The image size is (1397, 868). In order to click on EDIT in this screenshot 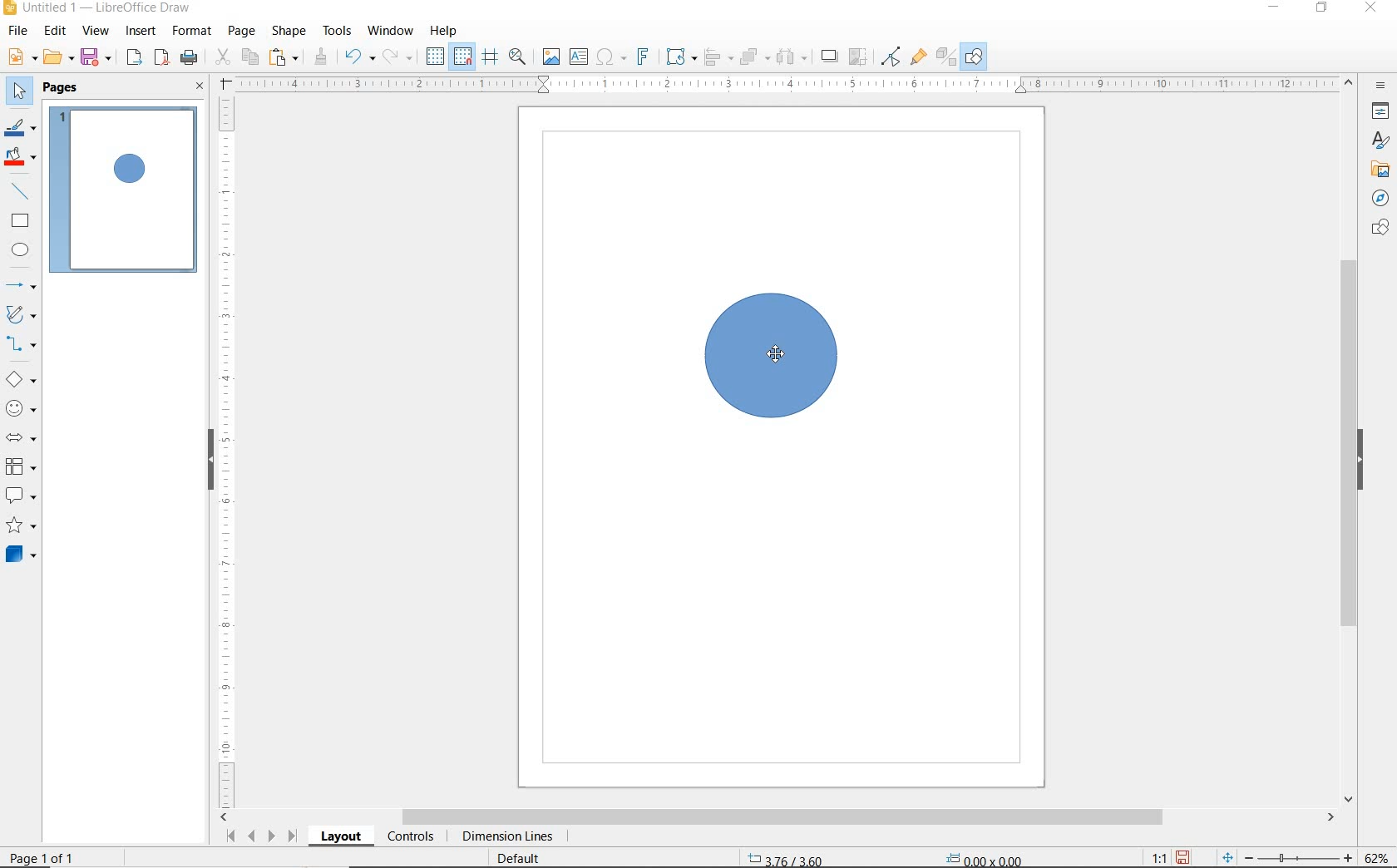, I will do `click(57, 31)`.